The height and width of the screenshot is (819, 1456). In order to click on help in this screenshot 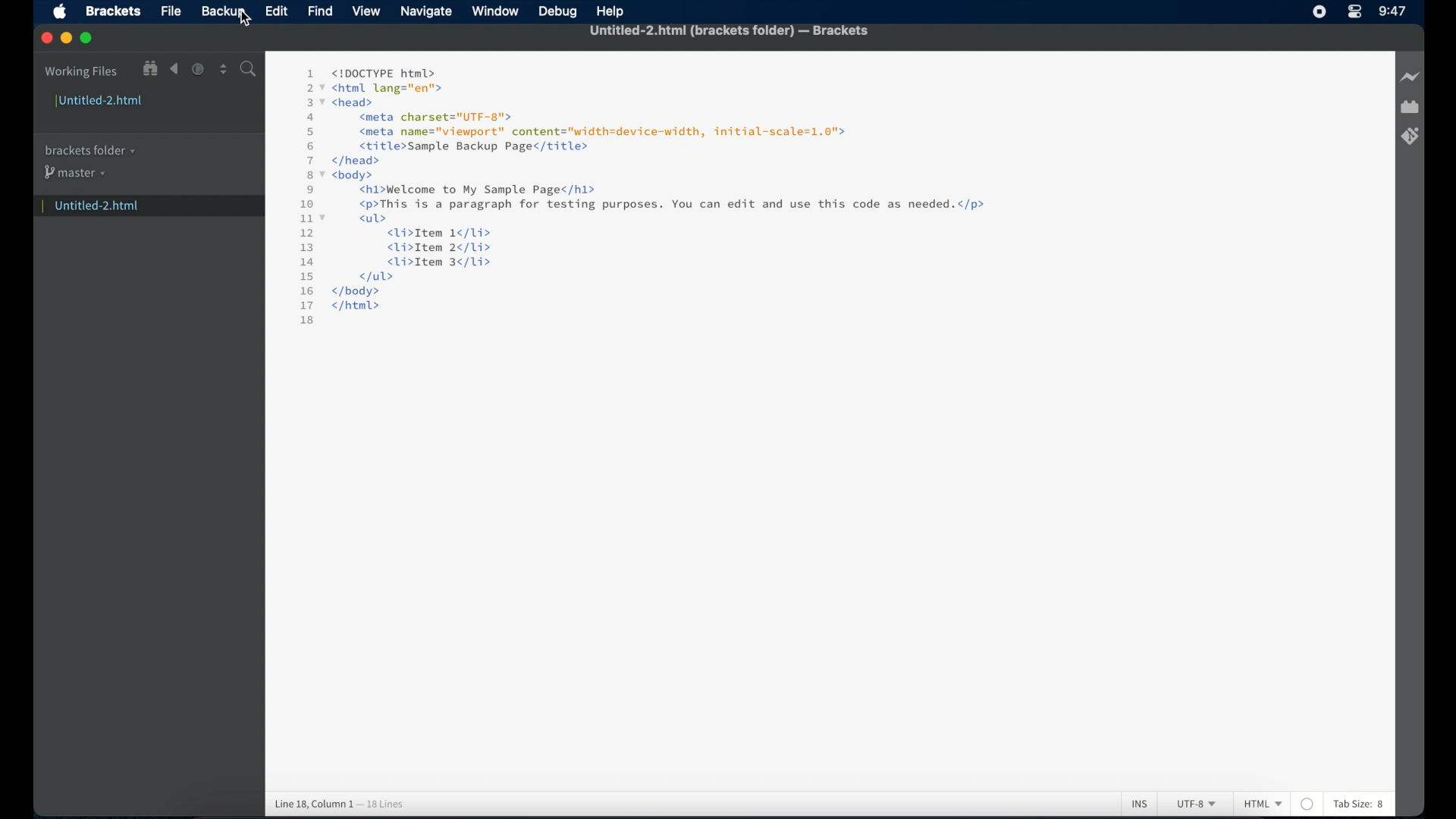, I will do `click(611, 11)`.